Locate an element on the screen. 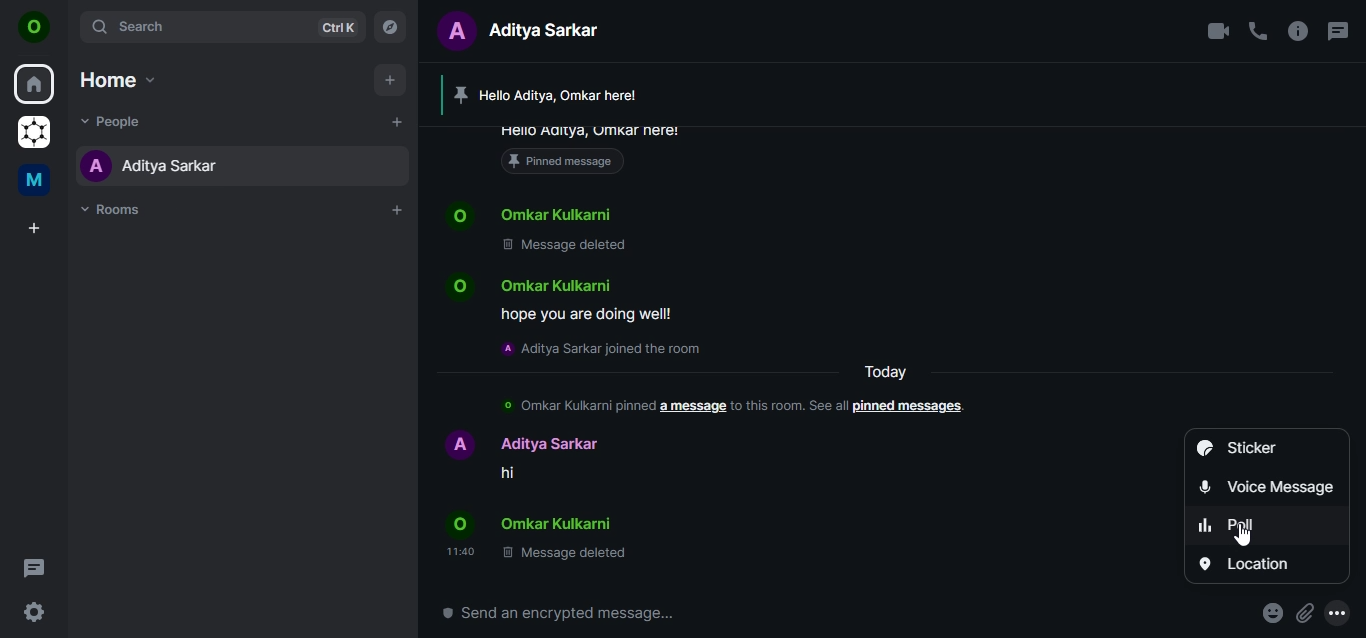  text is located at coordinates (896, 370).